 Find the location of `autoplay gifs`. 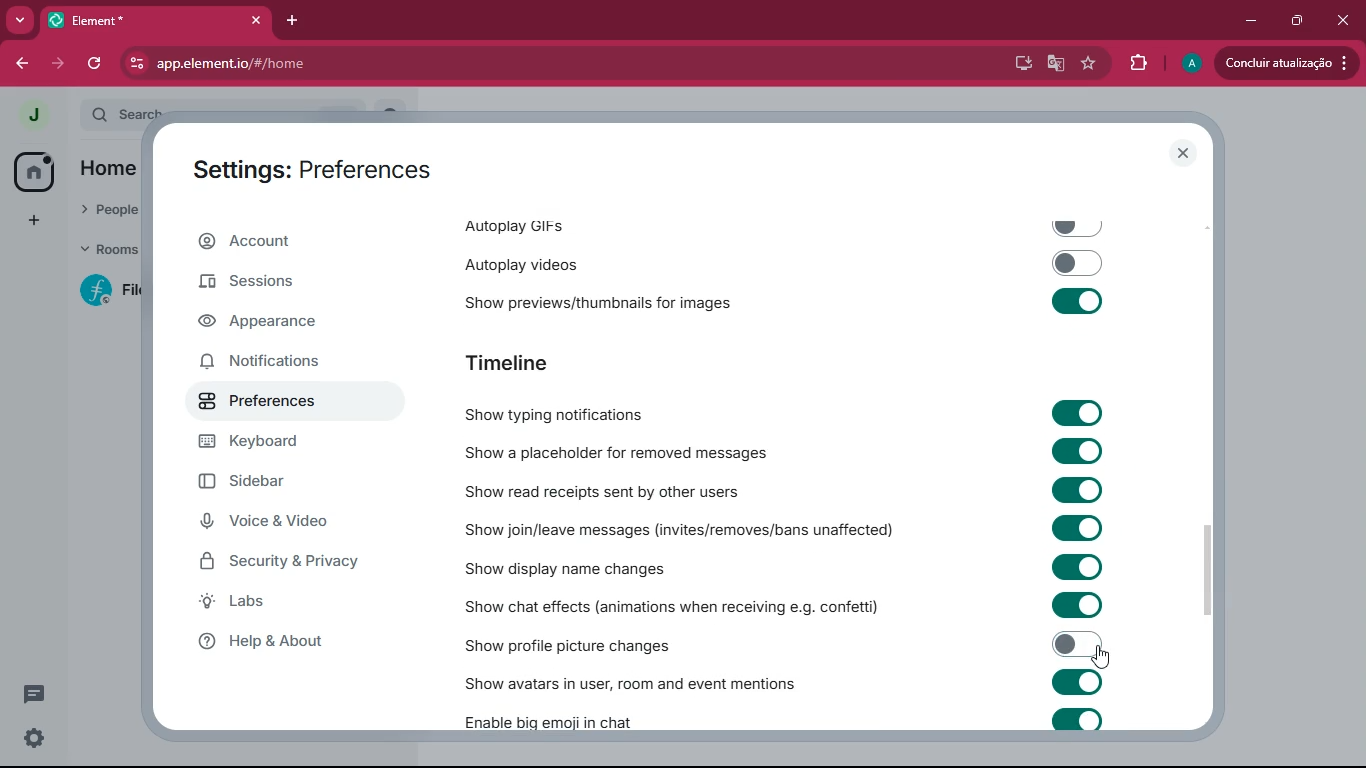

autoplay gifs is located at coordinates (797, 223).